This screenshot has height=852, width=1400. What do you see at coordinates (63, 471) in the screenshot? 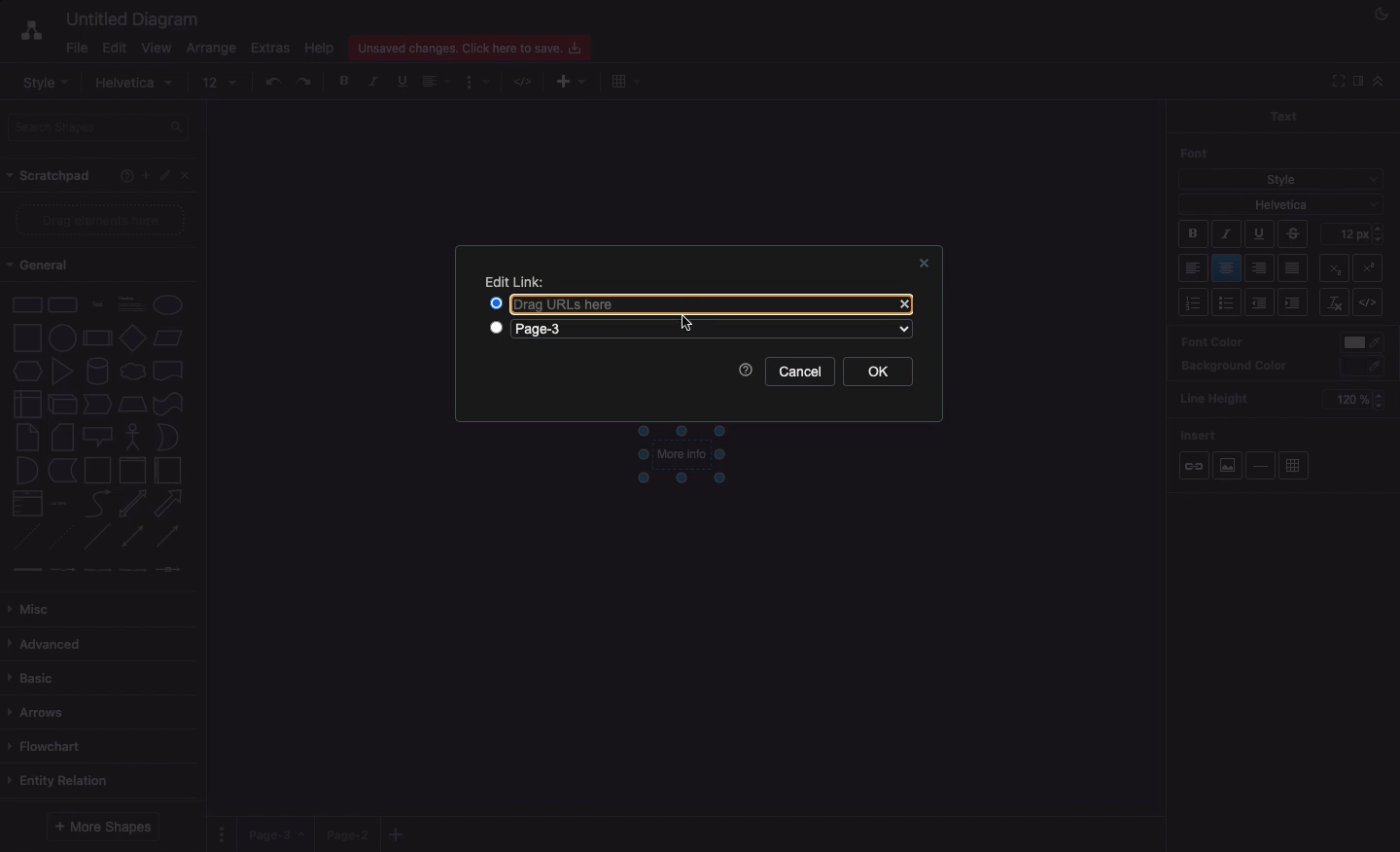
I see `data storage` at bounding box center [63, 471].